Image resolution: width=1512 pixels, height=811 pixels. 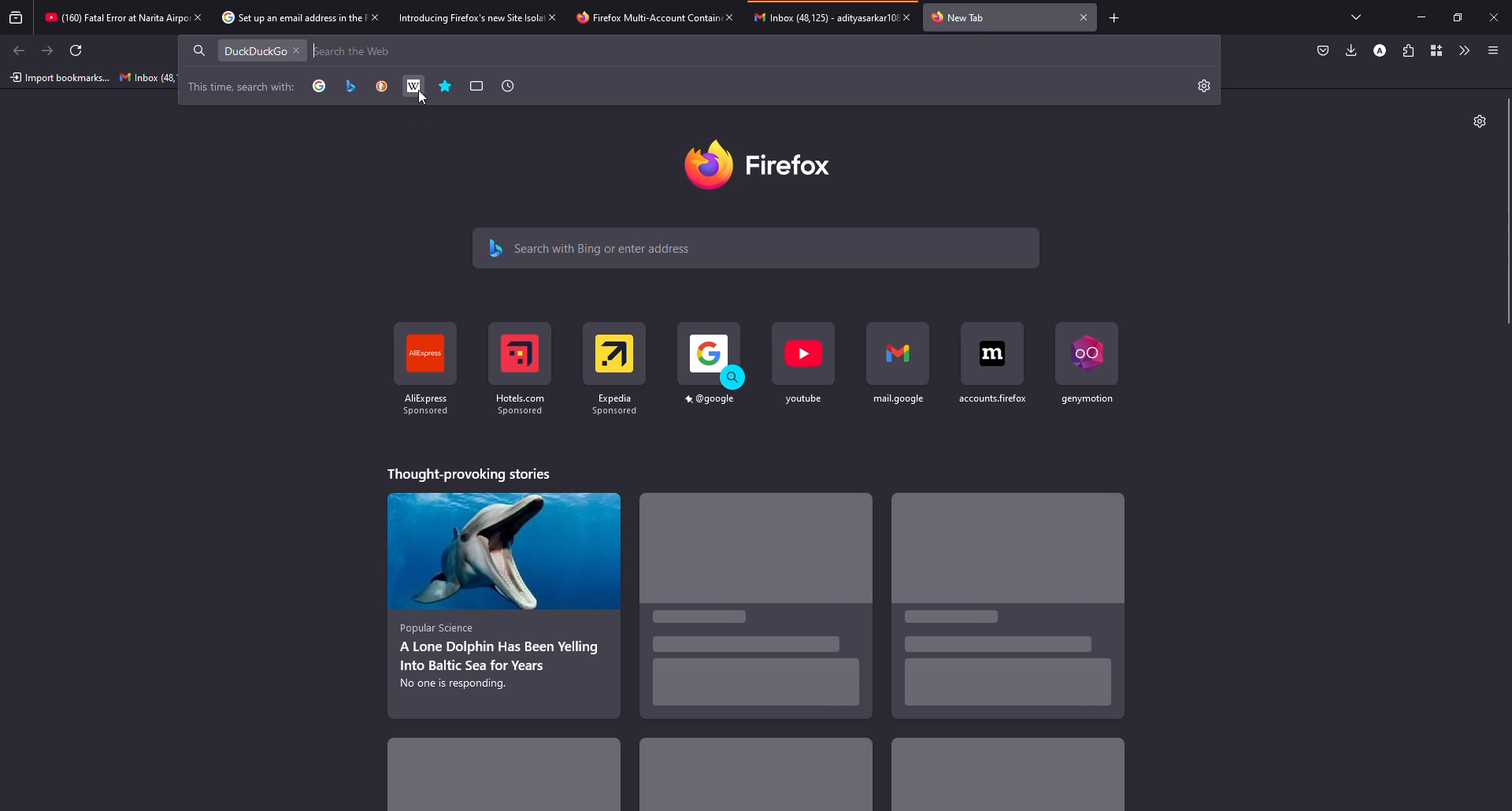 I want to click on more tools, so click(x=1462, y=50).